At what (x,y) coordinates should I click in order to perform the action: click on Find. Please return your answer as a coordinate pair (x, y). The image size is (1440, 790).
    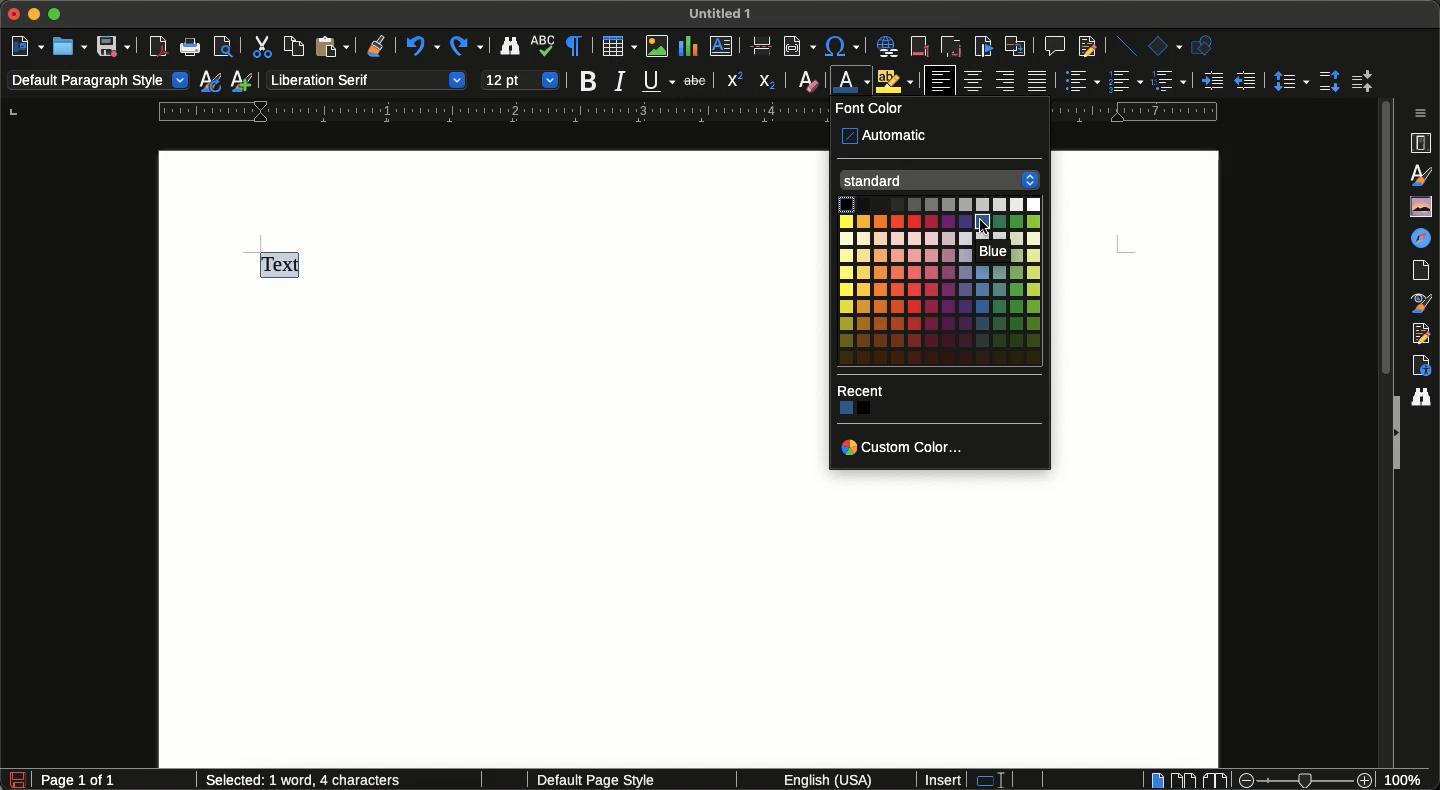
    Looking at the image, I should click on (1425, 395).